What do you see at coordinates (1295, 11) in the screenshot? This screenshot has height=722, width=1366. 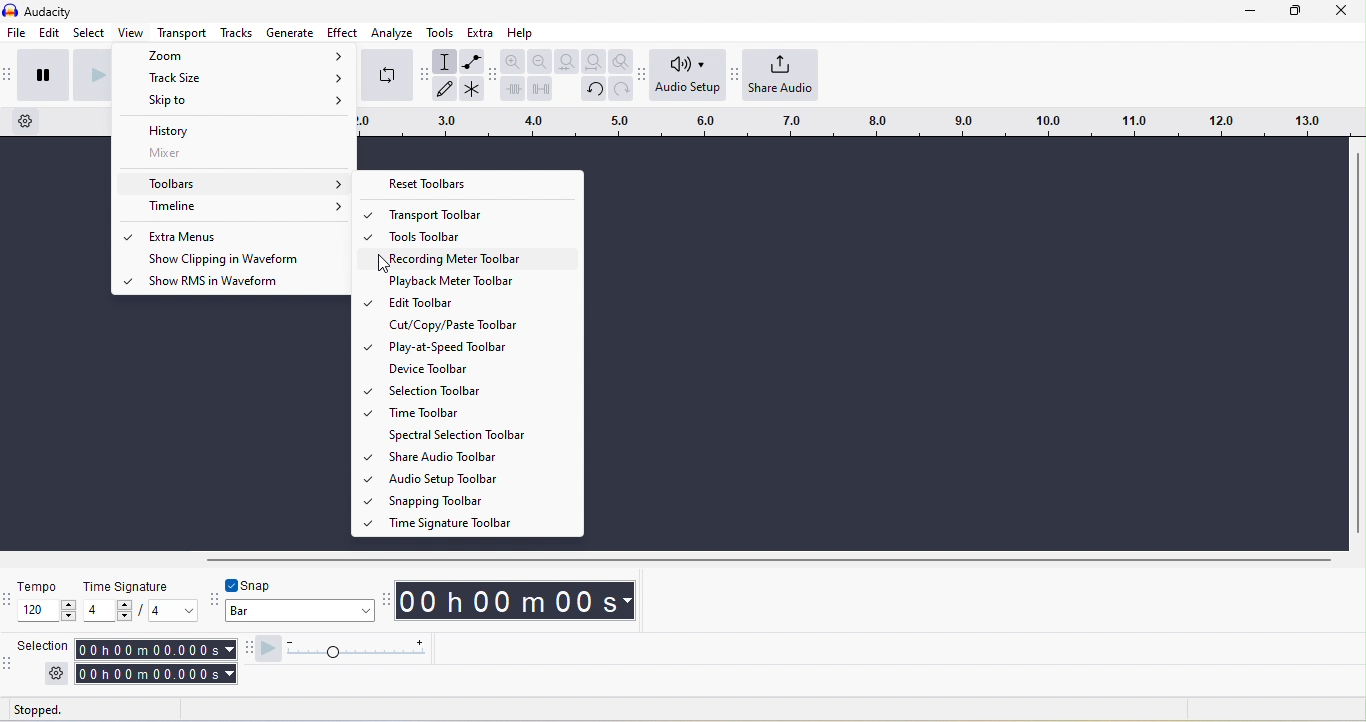 I see `maximize` at bounding box center [1295, 11].